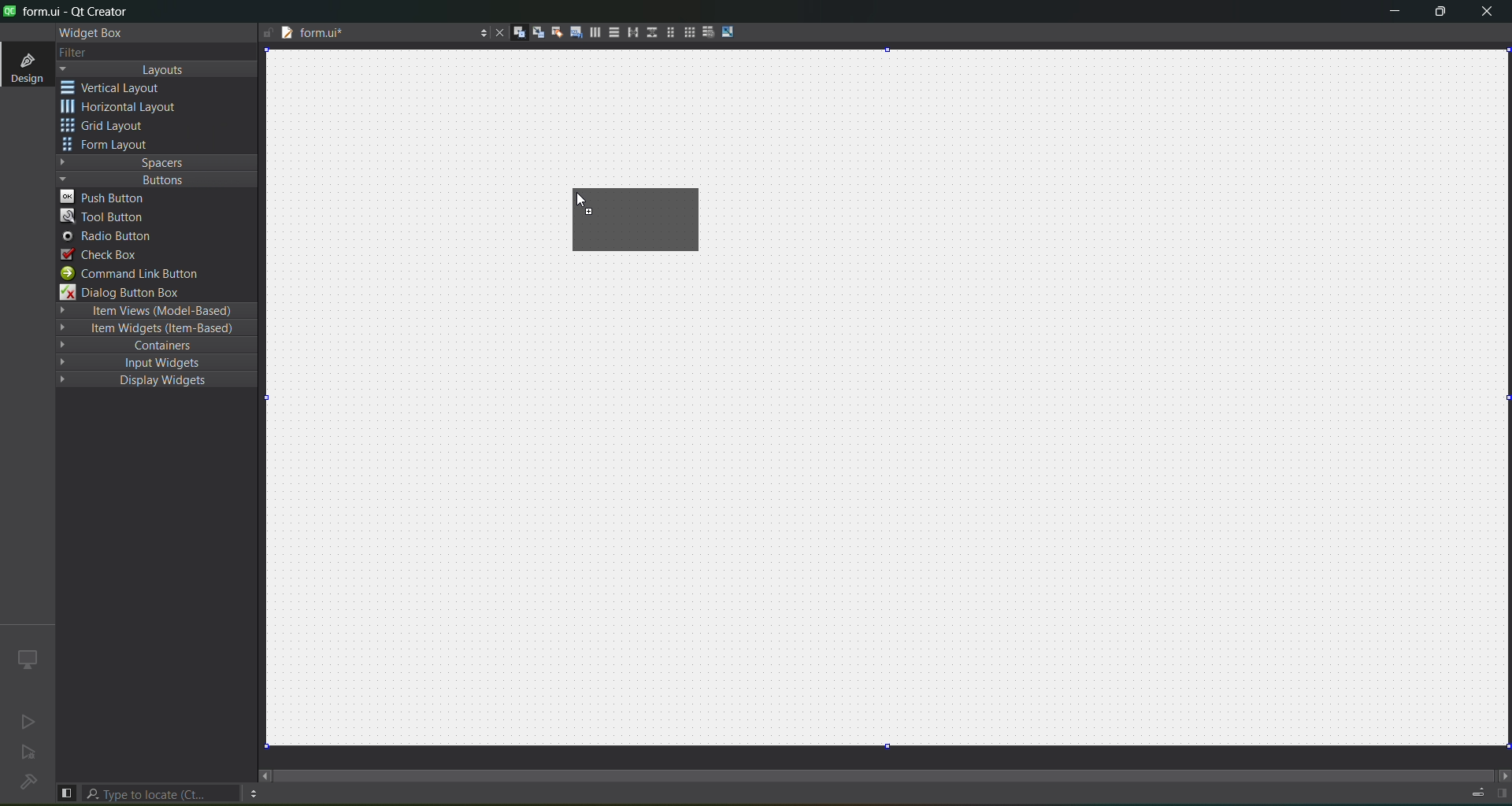 This screenshot has height=806, width=1512. What do you see at coordinates (159, 347) in the screenshot?
I see `containers` at bounding box center [159, 347].